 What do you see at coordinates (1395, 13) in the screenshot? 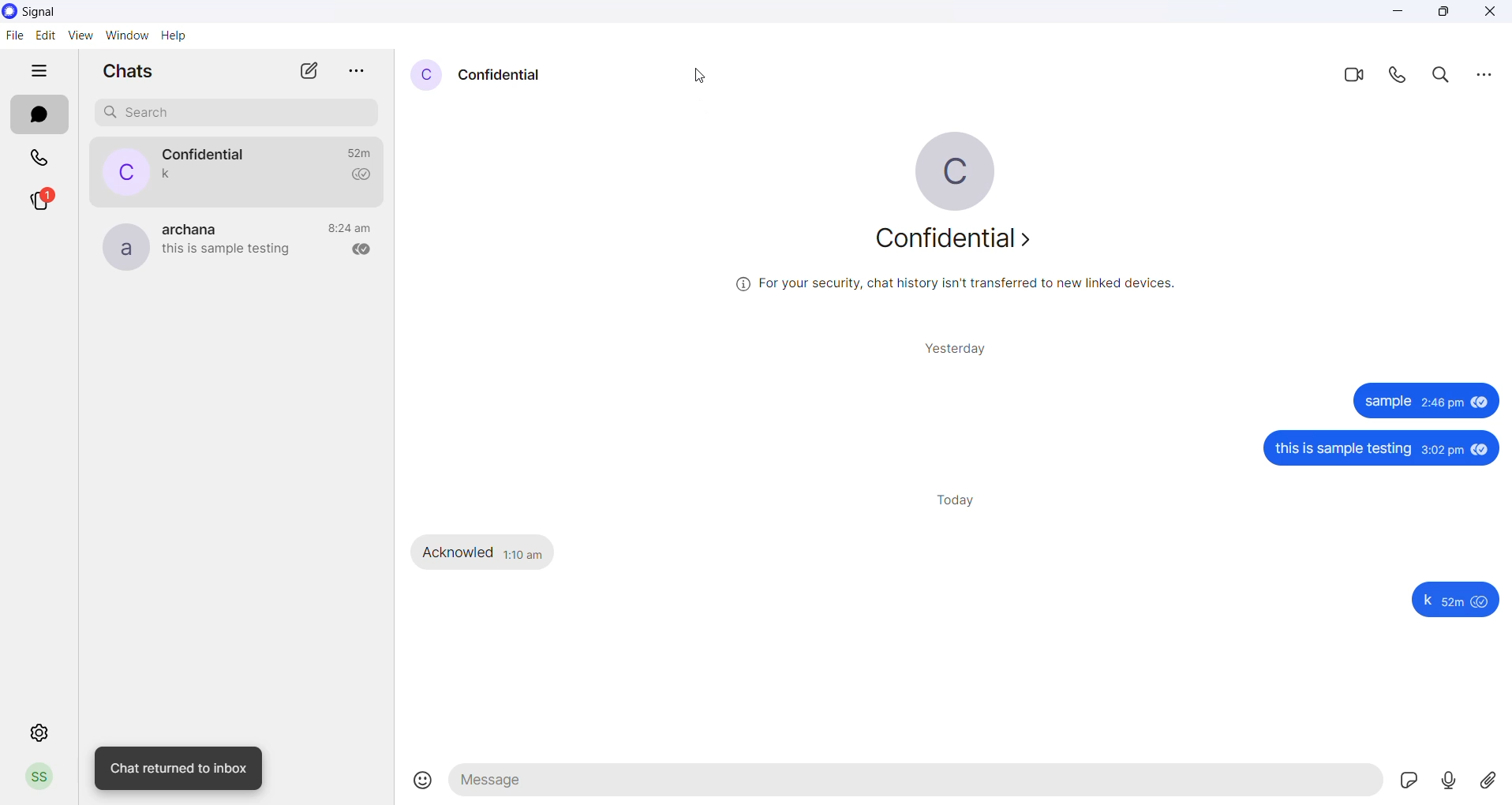
I see `minimize` at bounding box center [1395, 13].